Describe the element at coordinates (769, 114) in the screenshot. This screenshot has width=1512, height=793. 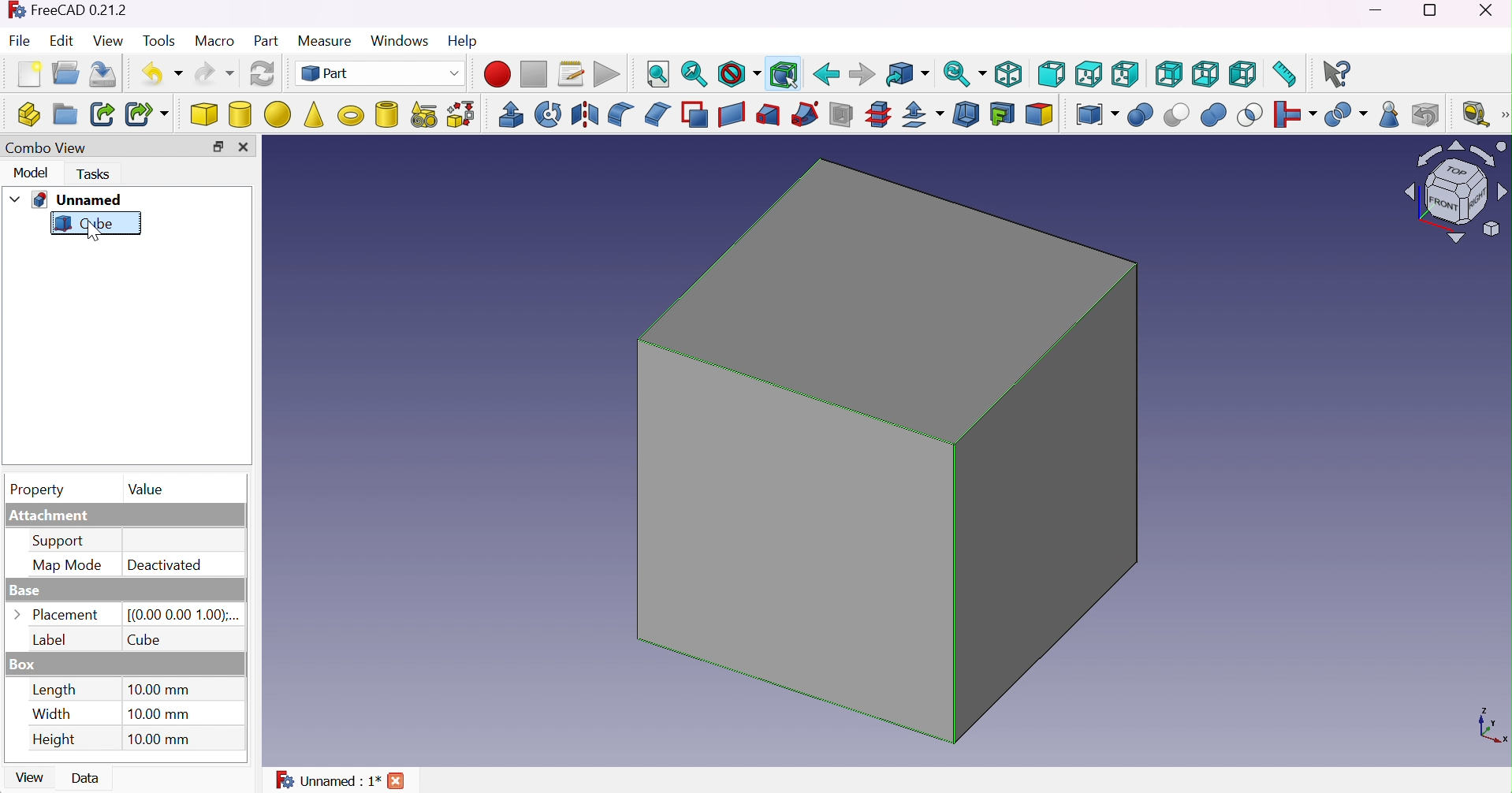
I see `Loft` at that location.